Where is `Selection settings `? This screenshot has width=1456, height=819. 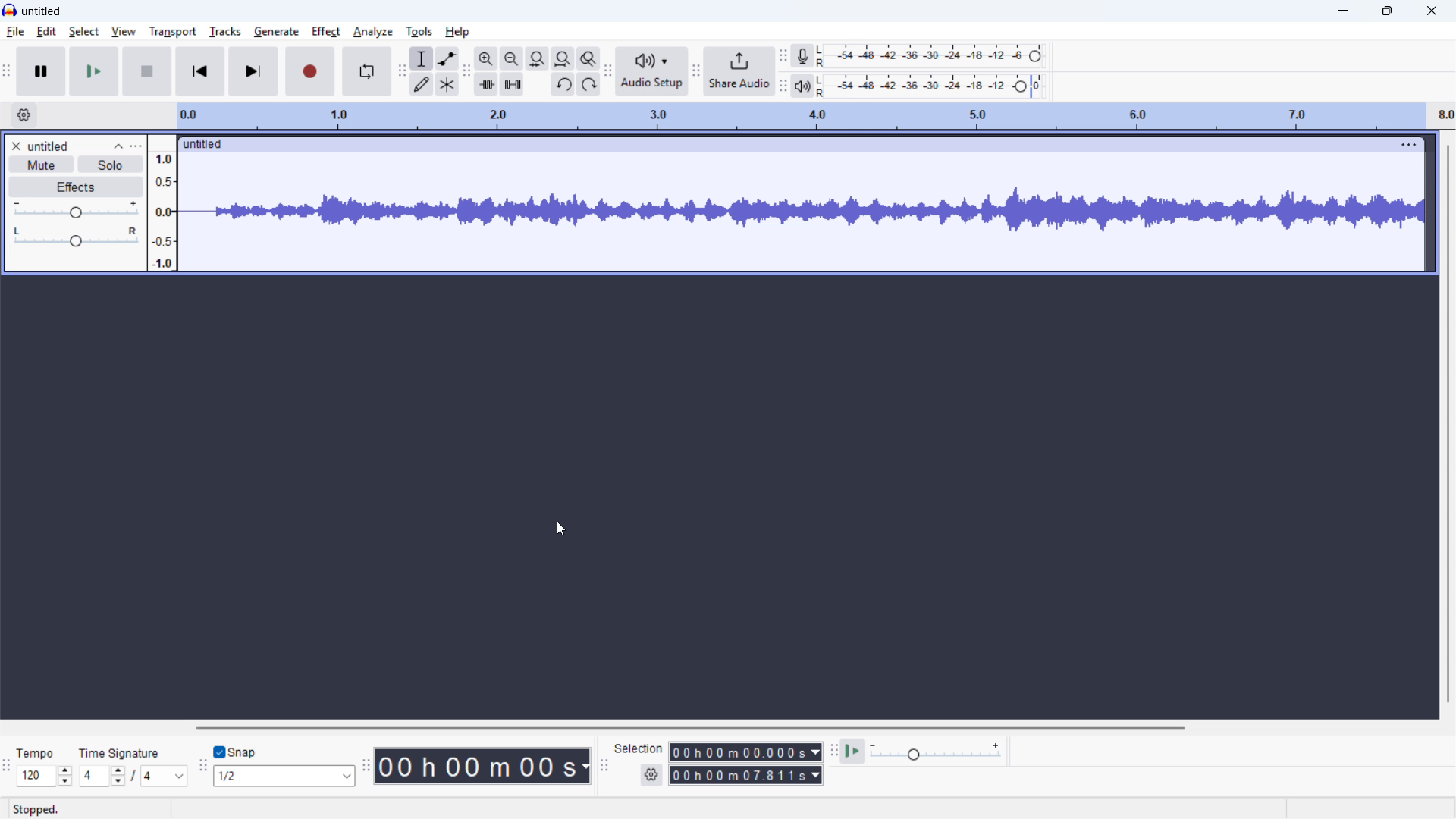
Selection settings  is located at coordinates (651, 776).